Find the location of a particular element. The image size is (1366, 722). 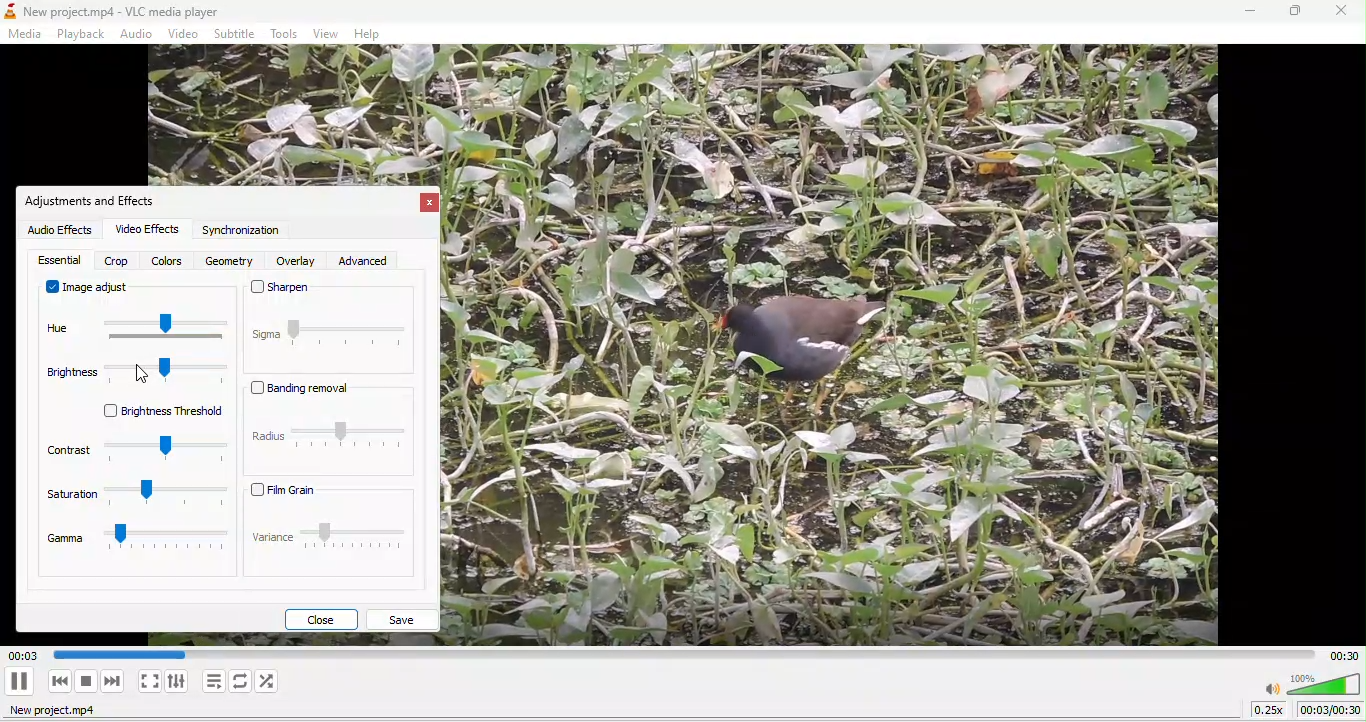

0.25 x is located at coordinates (1276, 712).